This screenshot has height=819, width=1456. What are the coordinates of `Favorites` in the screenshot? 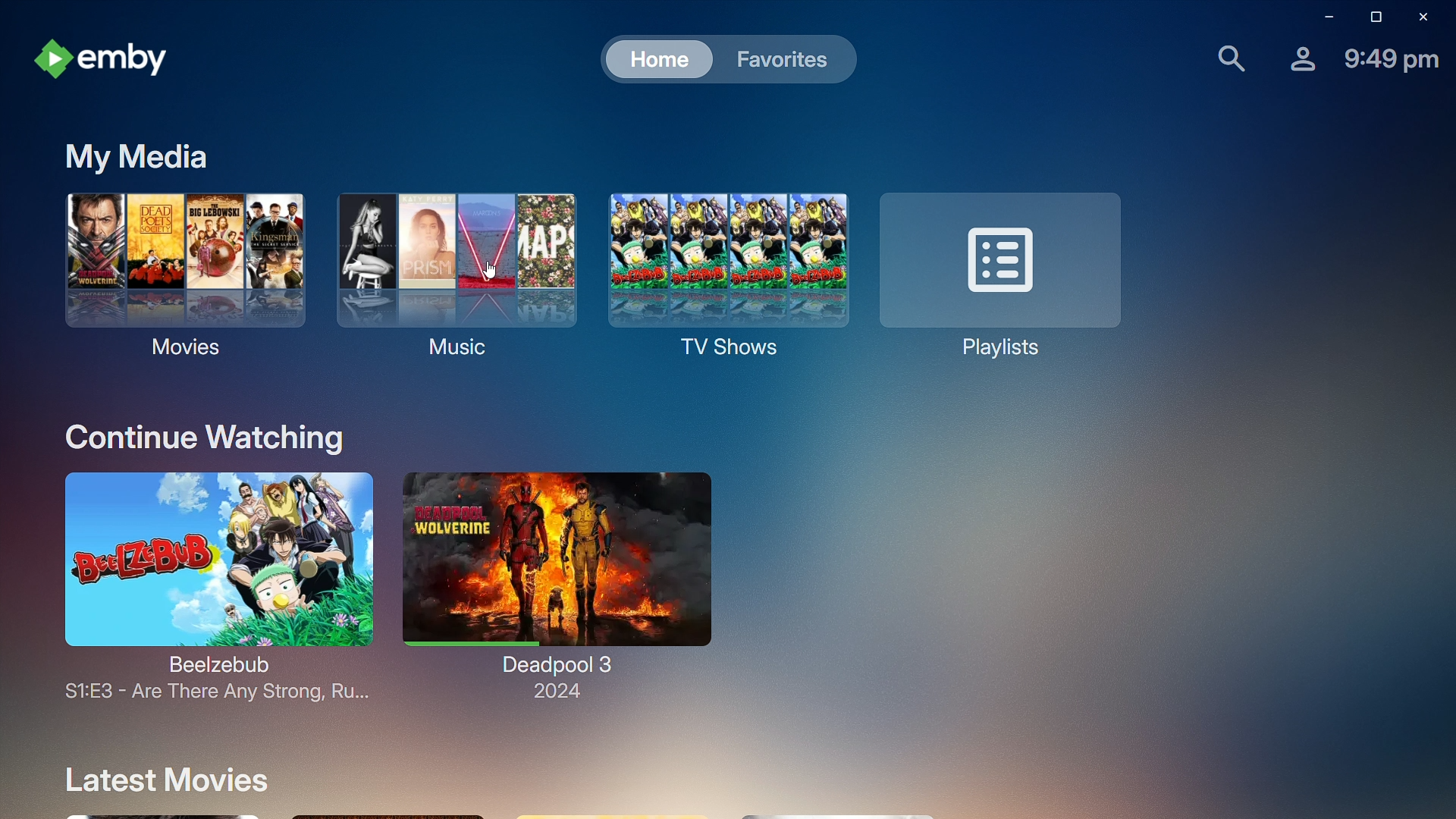 It's located at (778, 59).